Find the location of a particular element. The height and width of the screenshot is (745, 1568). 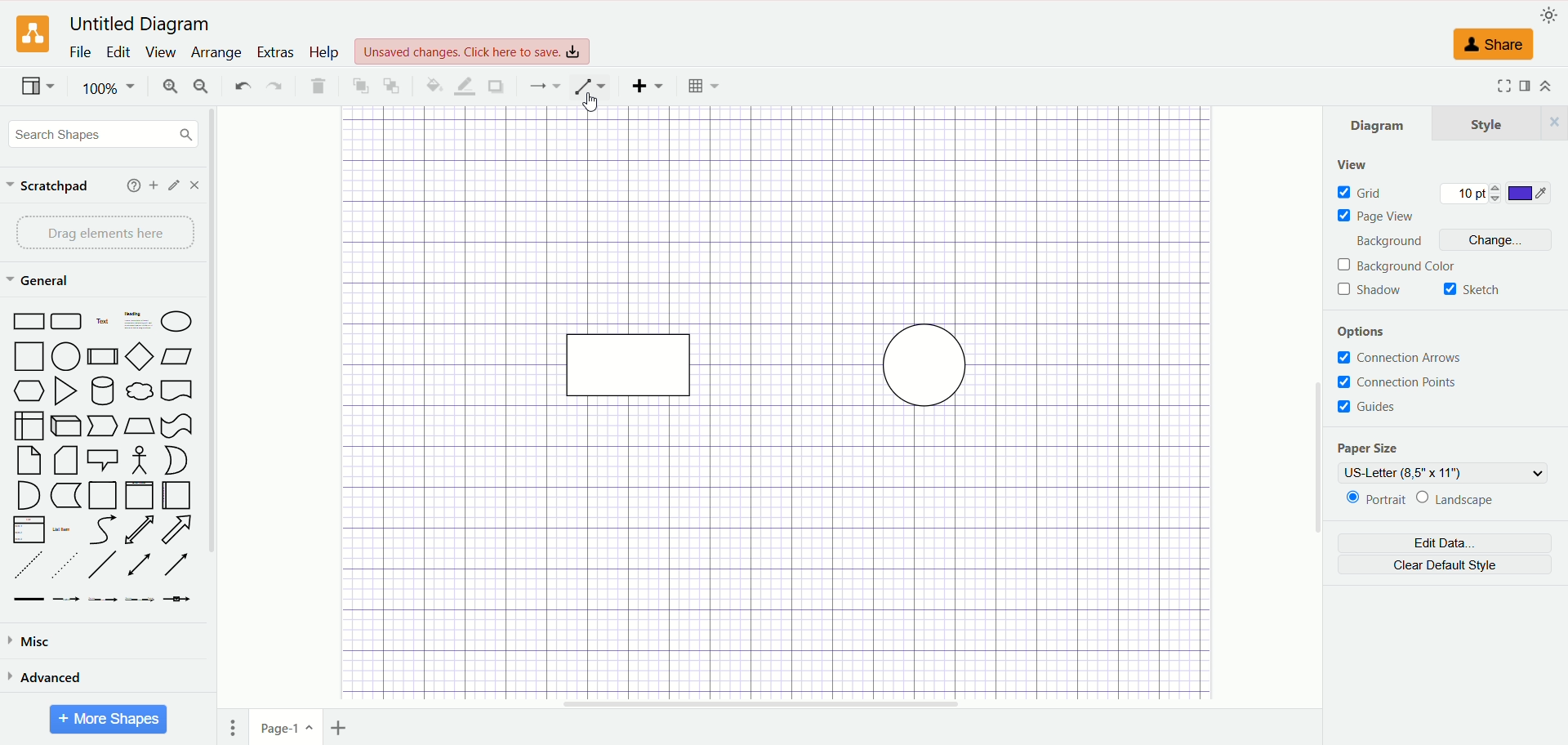

Connector with Icon Symbol is located at coordinates (180, 602).